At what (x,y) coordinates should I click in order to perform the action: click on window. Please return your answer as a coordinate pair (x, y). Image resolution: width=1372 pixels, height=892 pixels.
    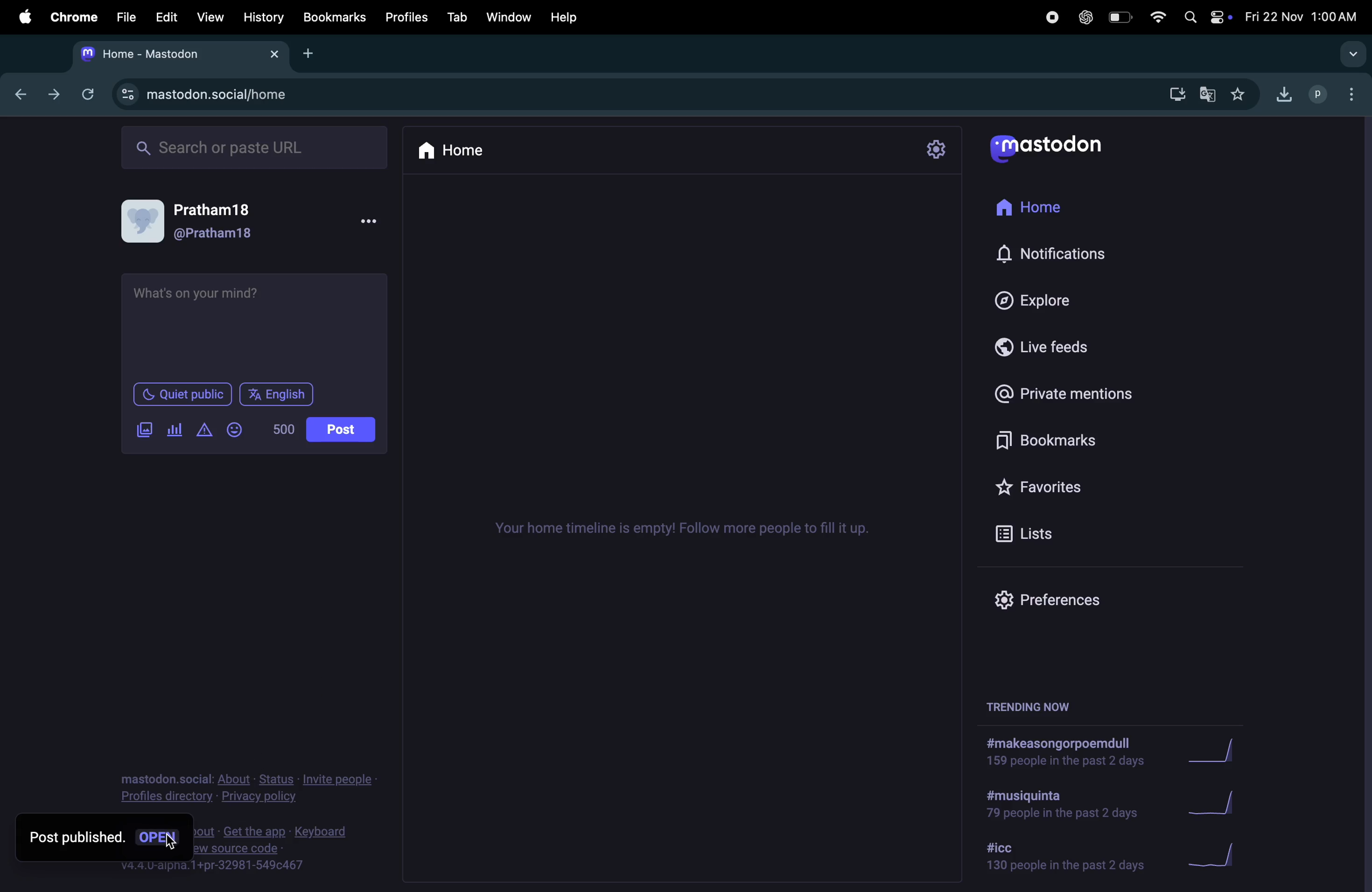
    Looking at the image, I should click on (509, 18).